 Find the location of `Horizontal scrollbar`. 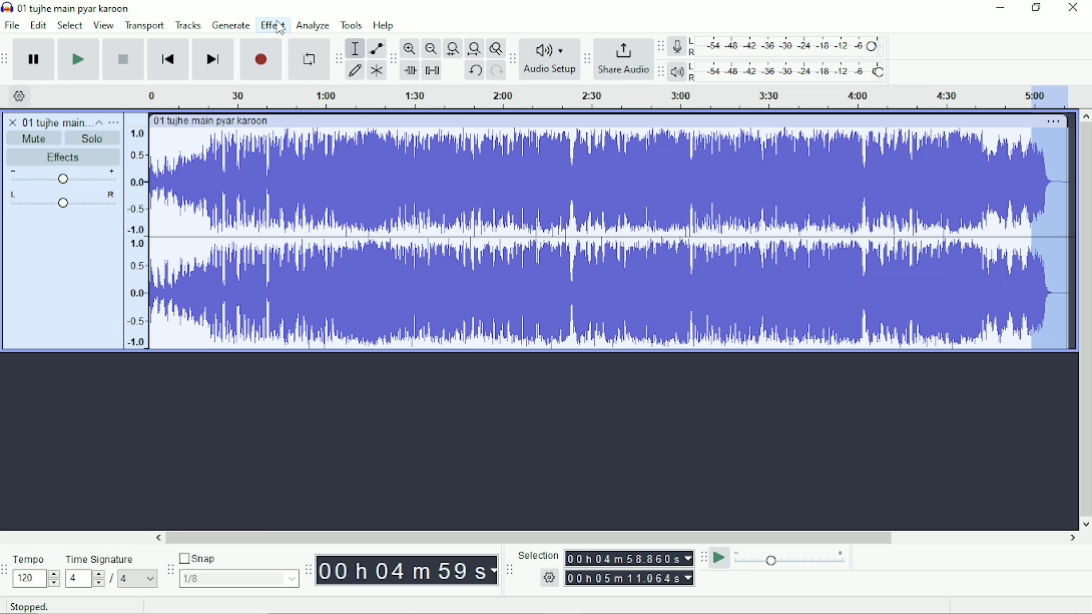

Horizontal scrollbar is located at coordinates (616, 538).